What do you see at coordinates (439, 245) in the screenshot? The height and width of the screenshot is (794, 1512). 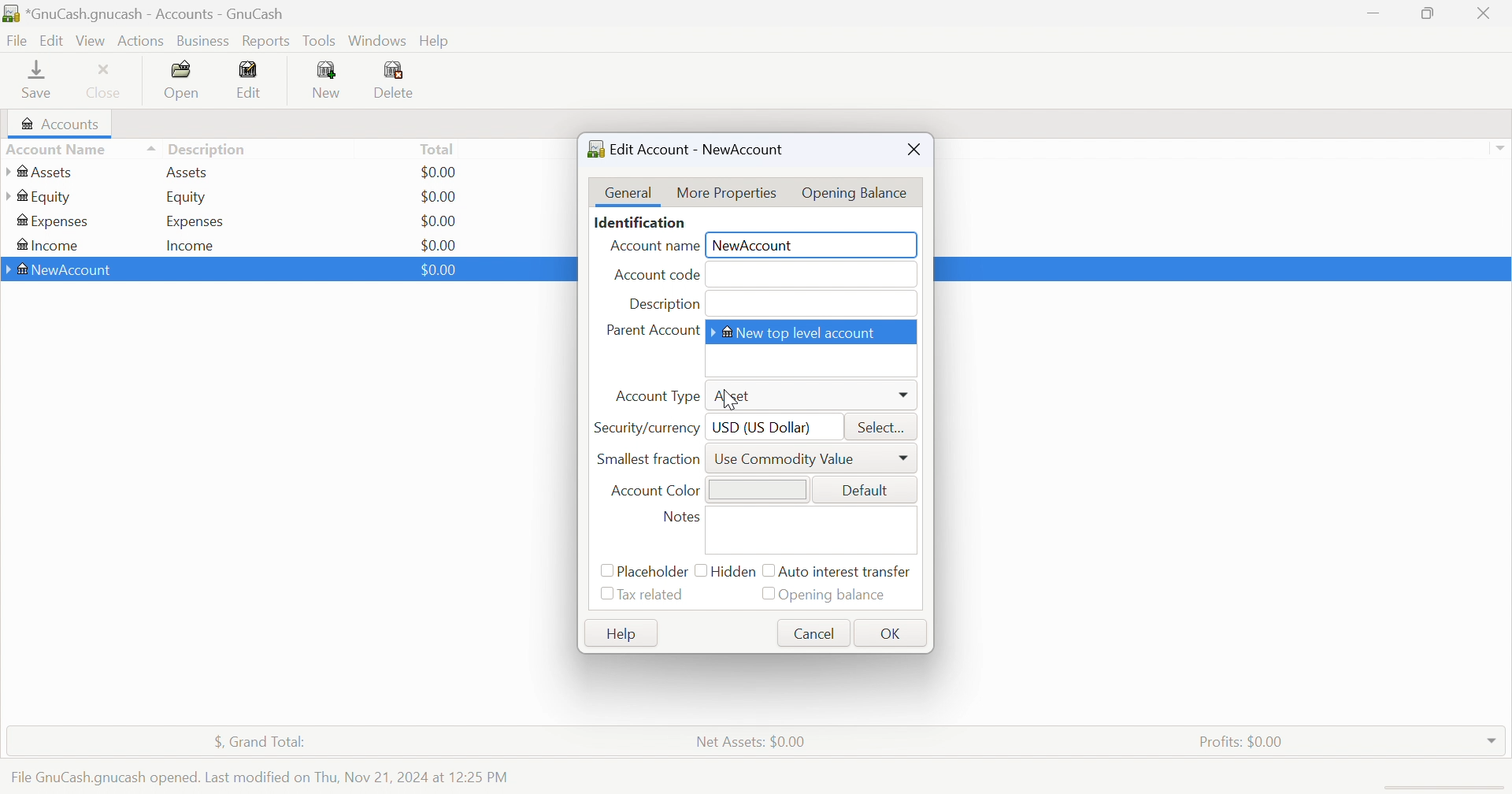 I see `$0.00` at bounding box center [439, 245].